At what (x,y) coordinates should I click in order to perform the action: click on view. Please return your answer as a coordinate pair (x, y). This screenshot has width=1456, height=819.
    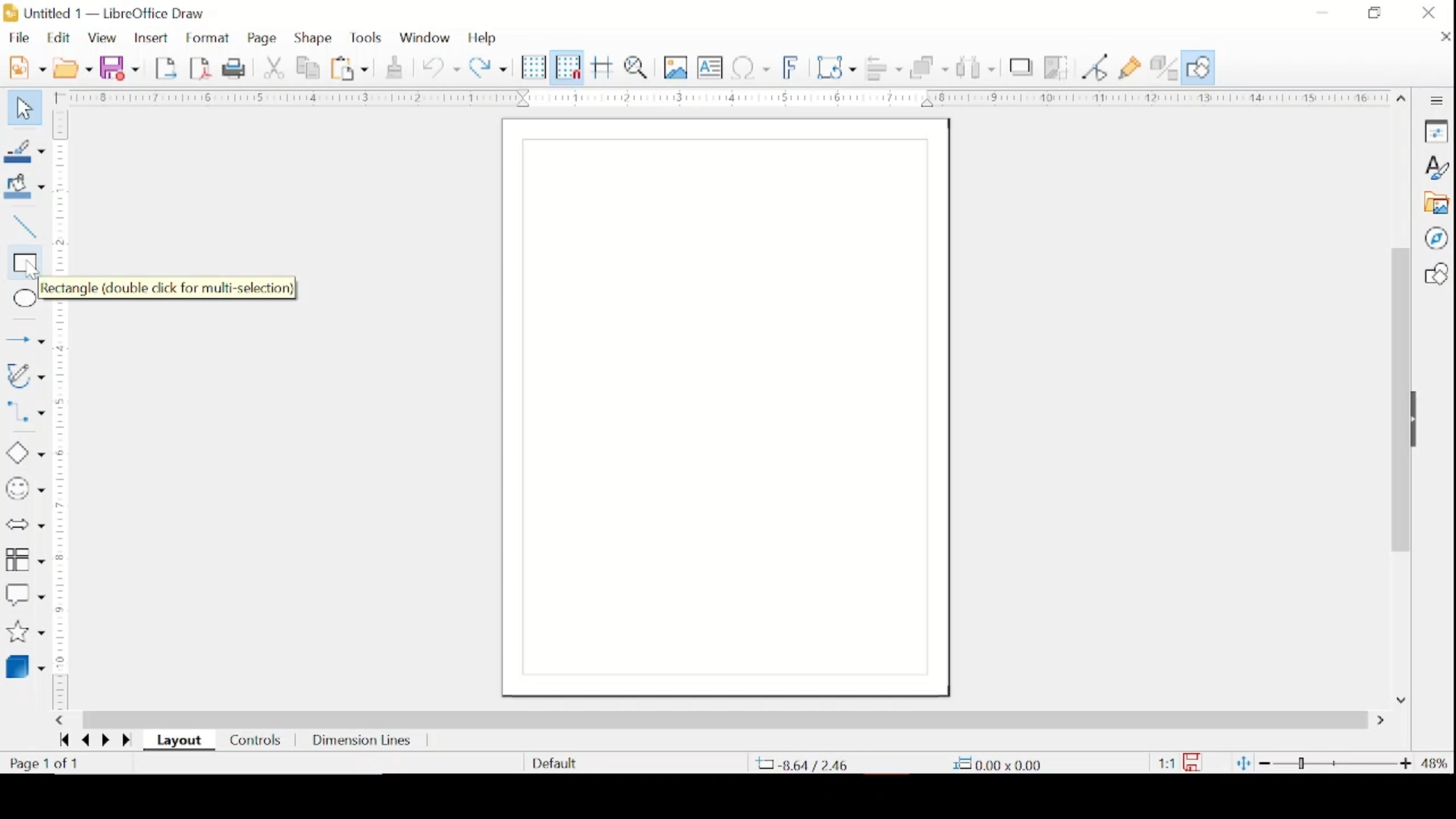
    Looking at the image, I should click on (104, 39).